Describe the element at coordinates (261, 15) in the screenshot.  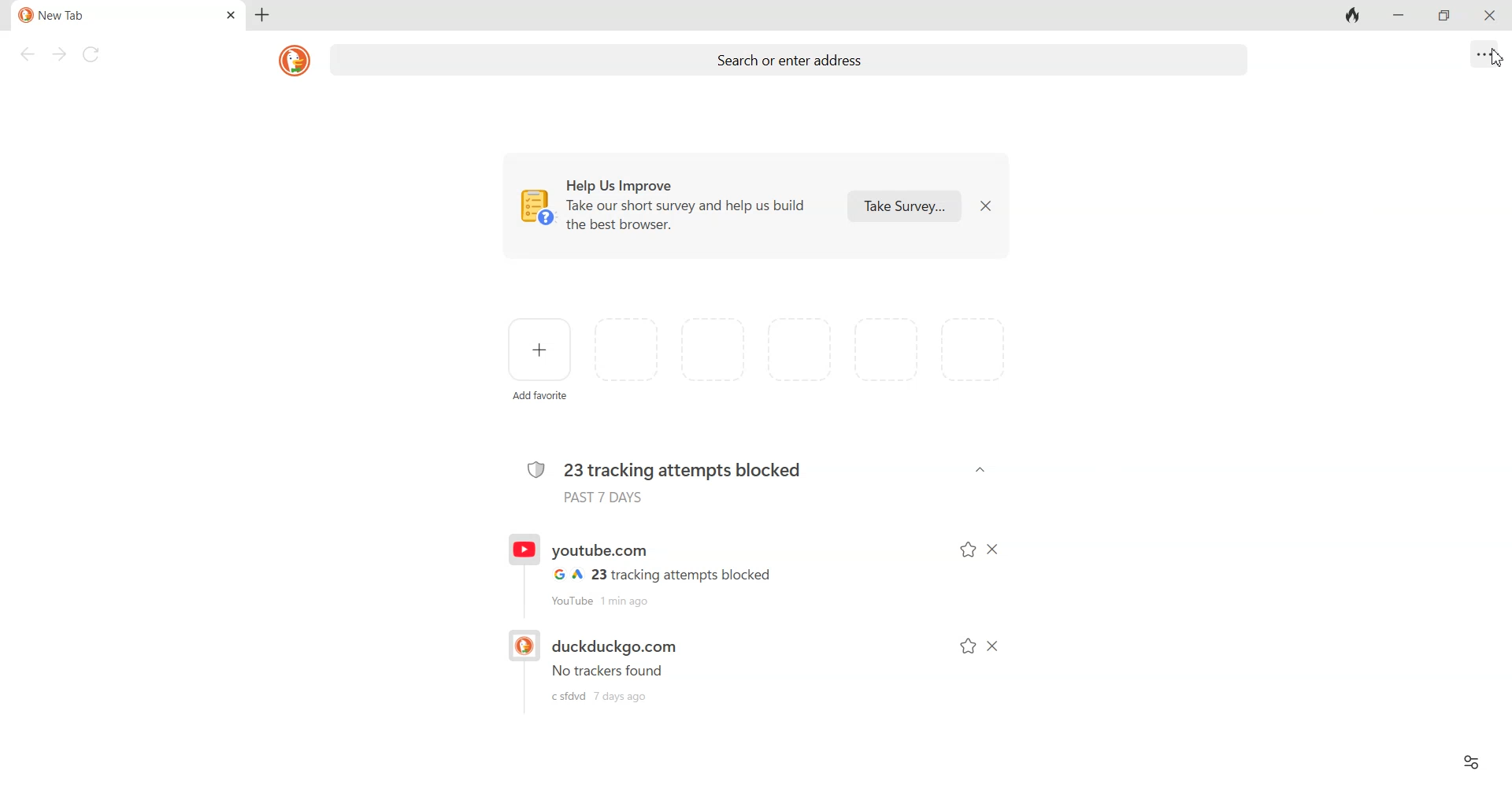
I see `Add new tab` at that location.